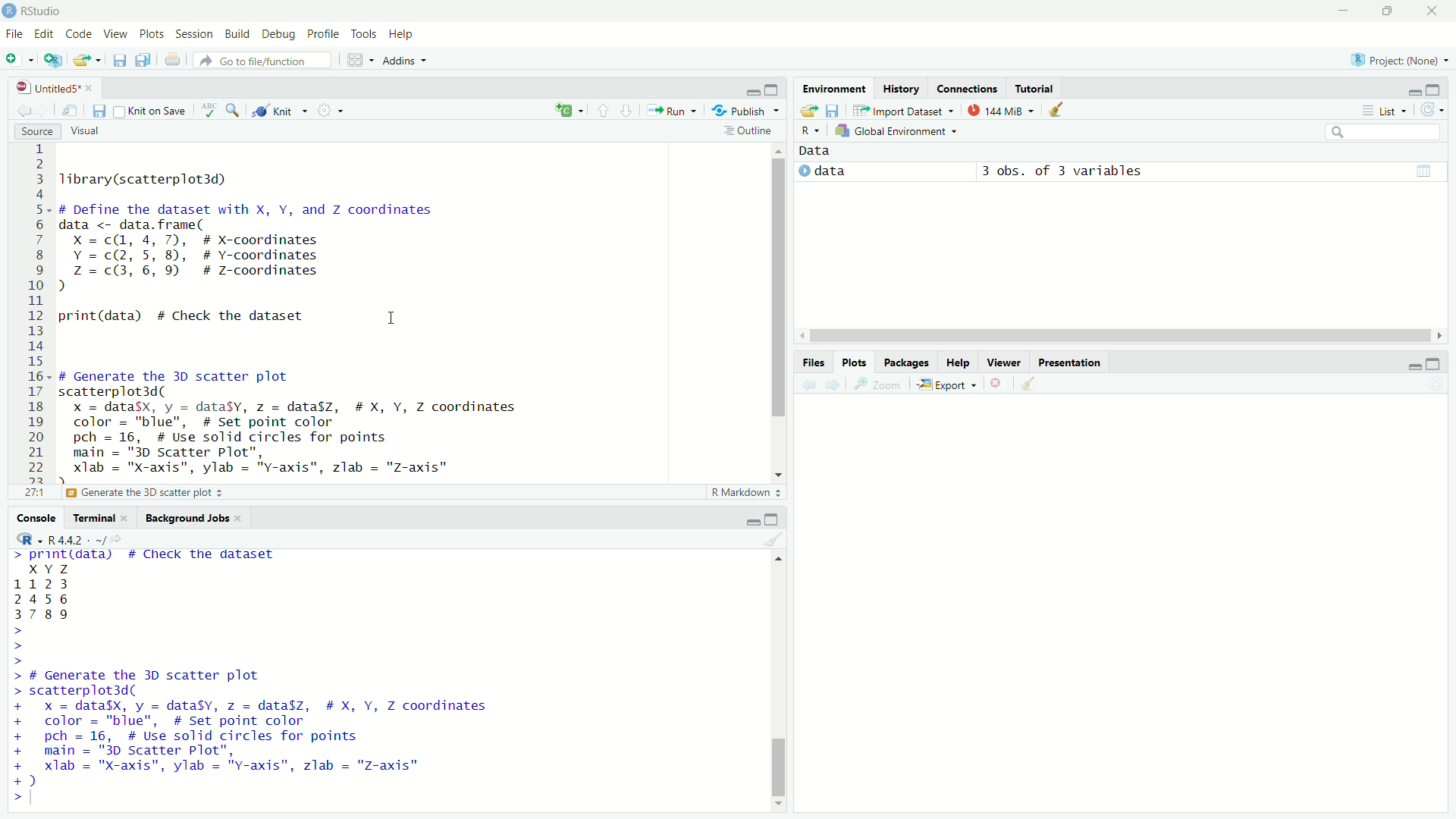 The width and height of the screenshot is (1456, 819). Describe the element at coordinates (44, 582) in the screenshot. I see `1123` at that location.